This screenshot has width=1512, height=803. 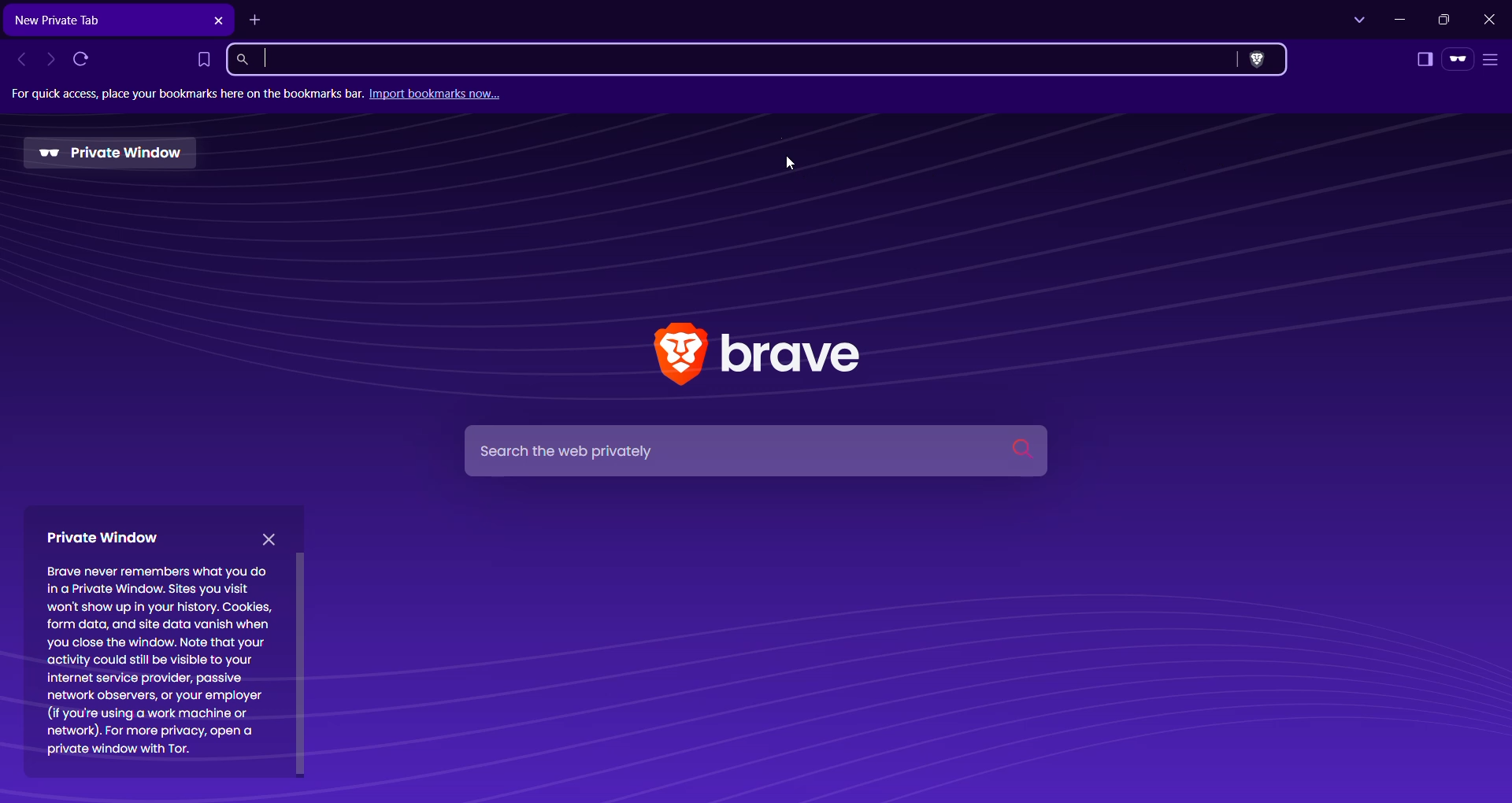 I want to click on Reload this page, so click(x=87, y=59).